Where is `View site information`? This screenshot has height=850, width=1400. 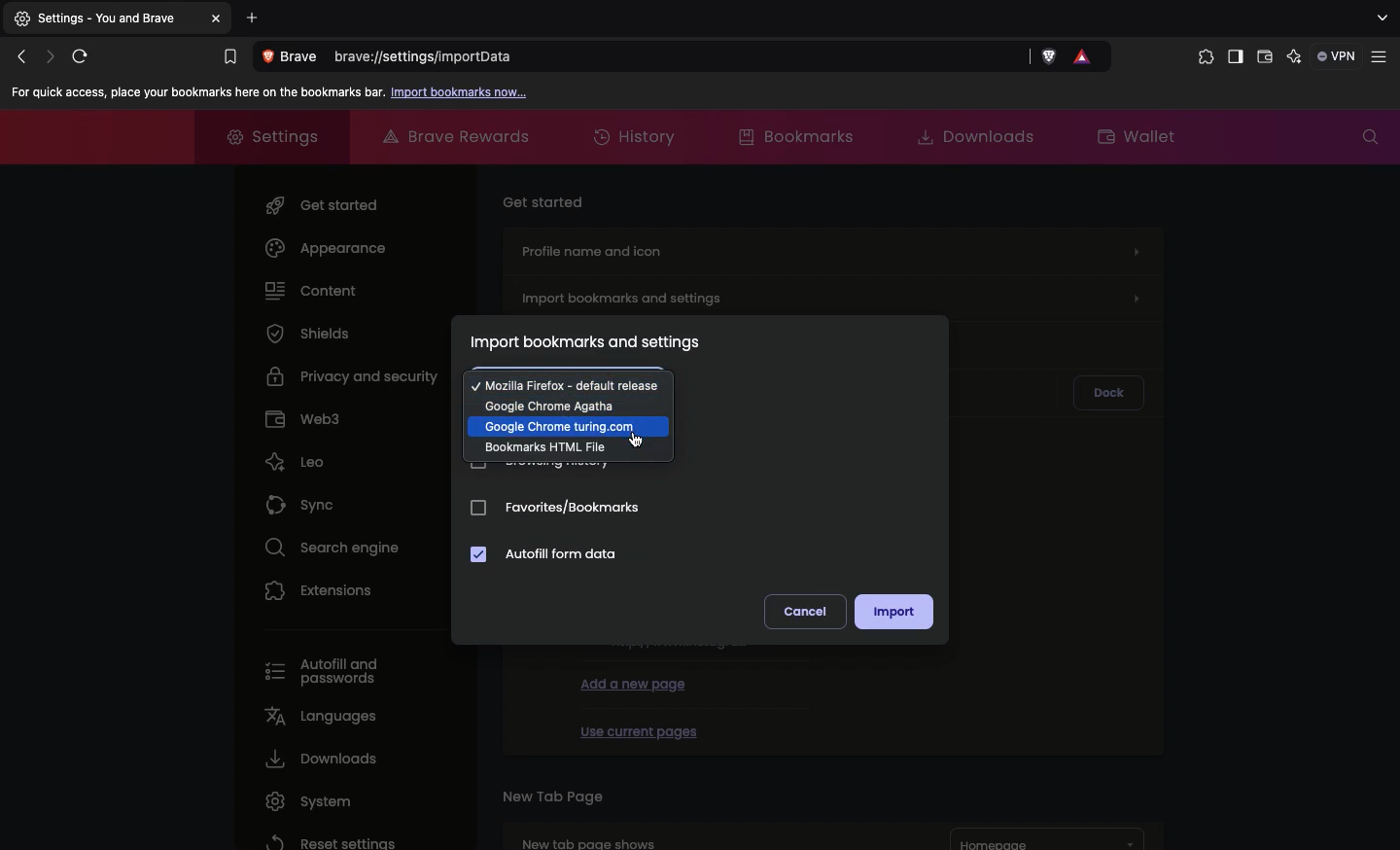 View site information is located at coordinates (294, 57).